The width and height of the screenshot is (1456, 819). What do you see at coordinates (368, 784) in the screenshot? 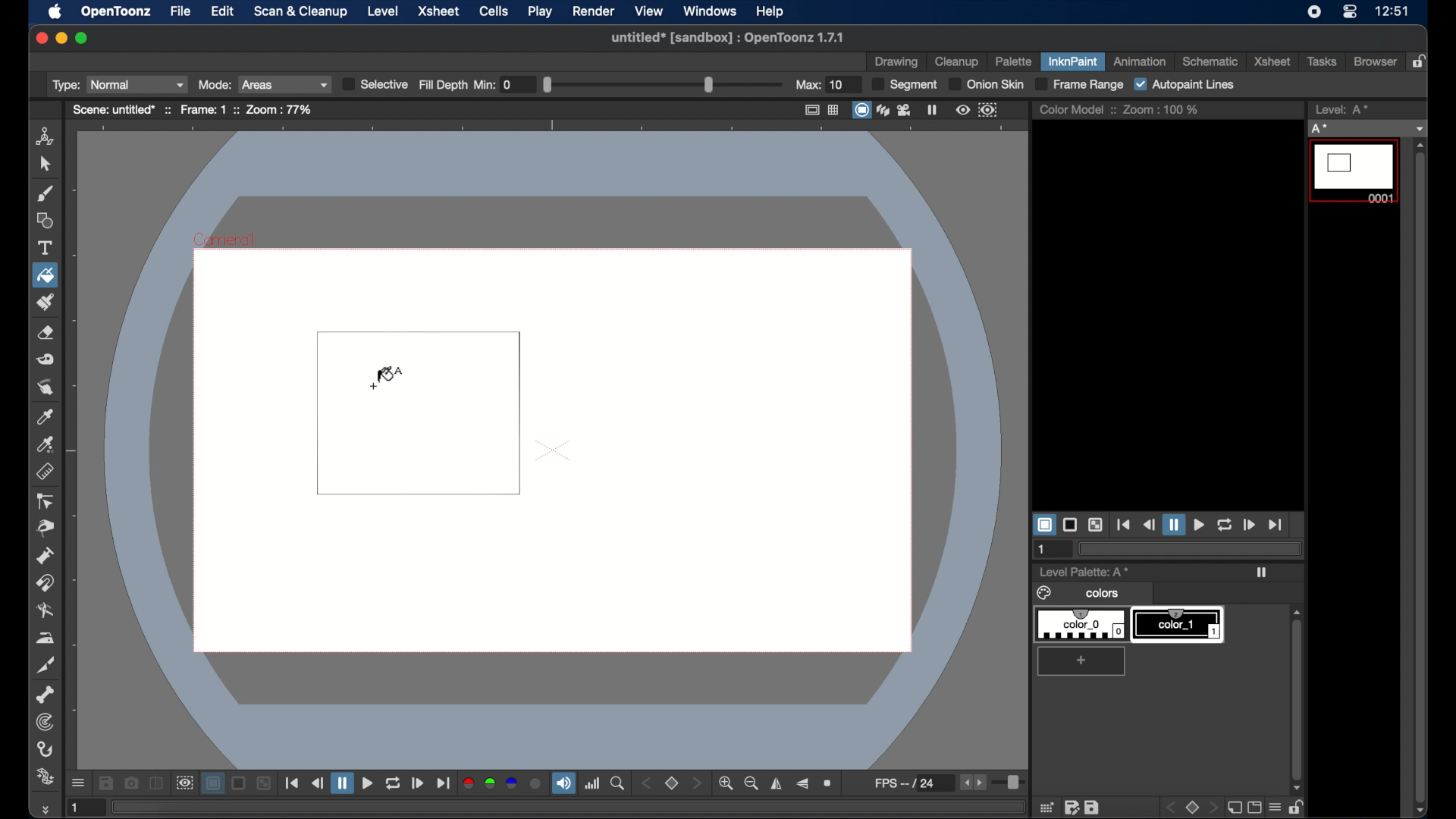
I see `play button` at bounding box center [368, 784].